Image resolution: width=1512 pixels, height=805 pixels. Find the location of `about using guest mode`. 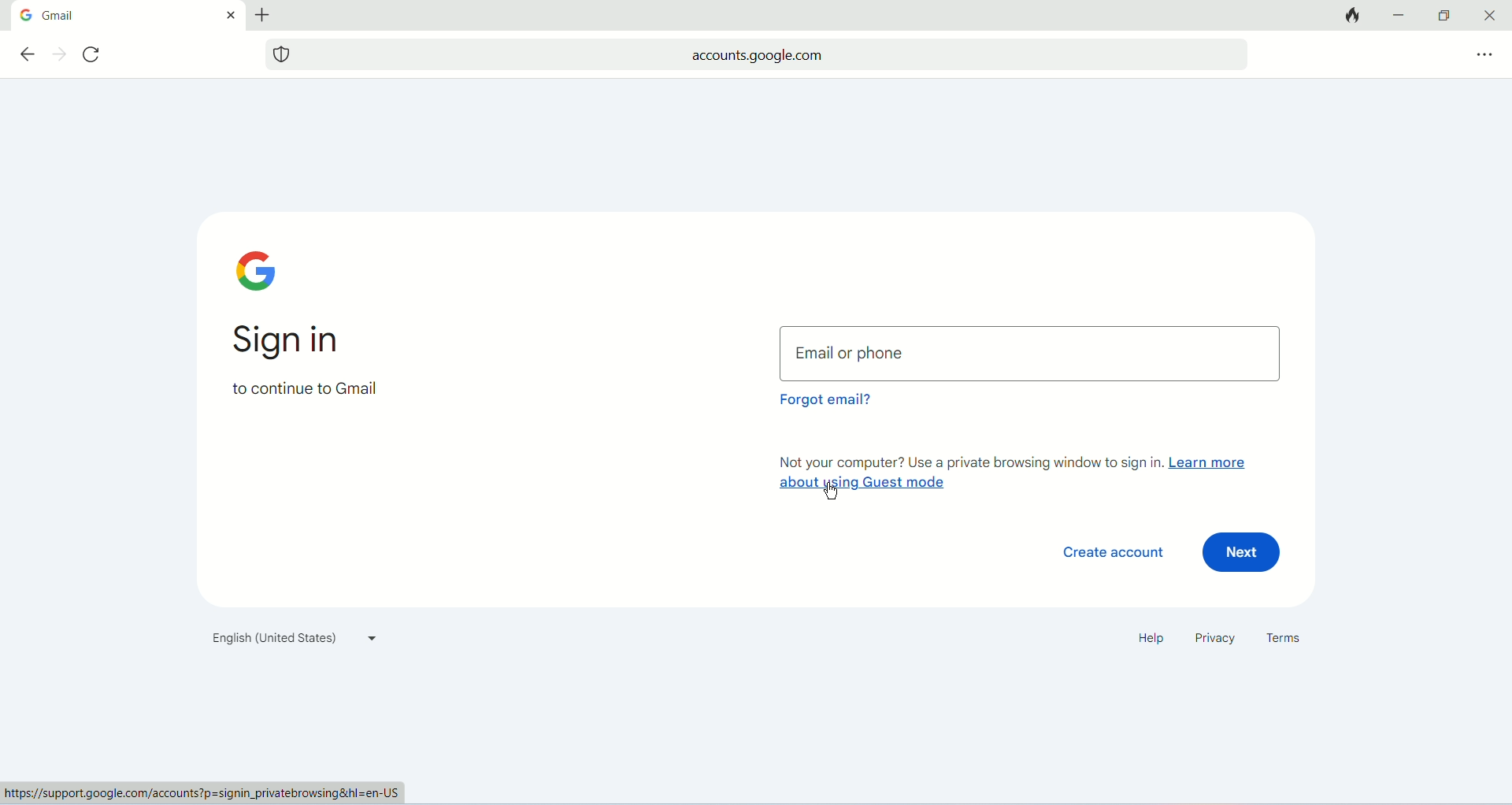

about using guest mode is located at coordinates (859, 484).